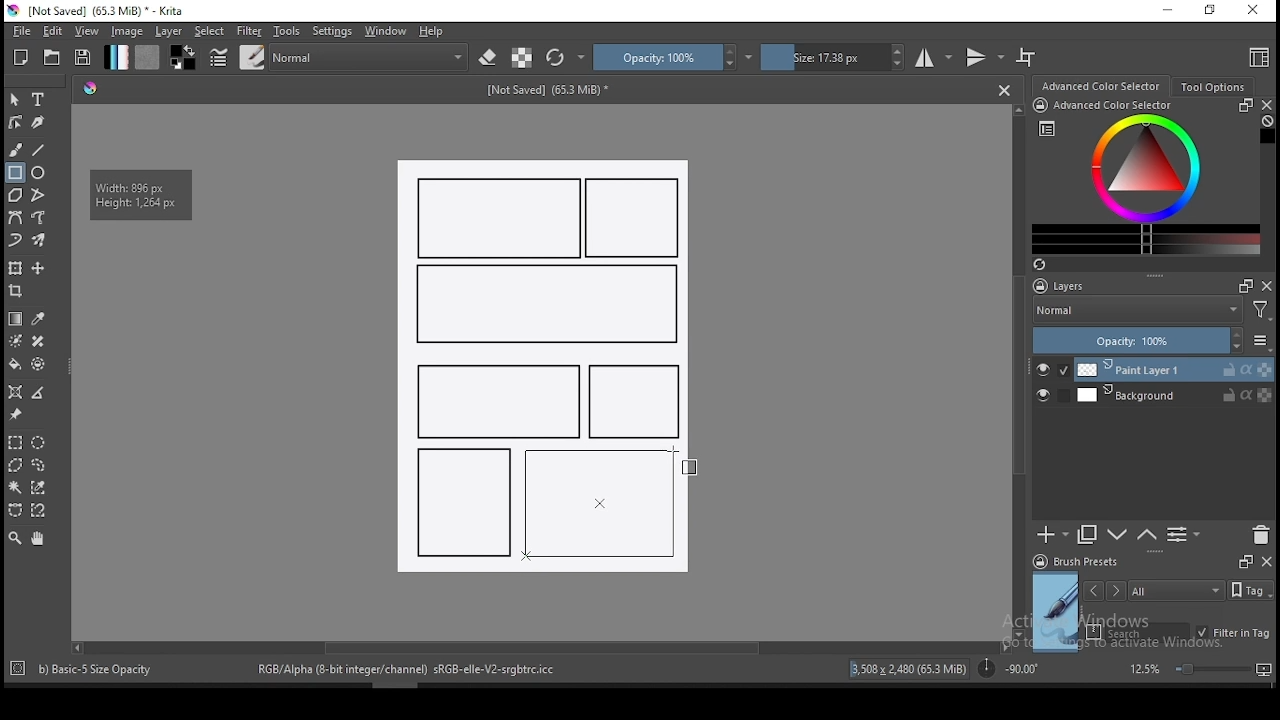 This screenshot has height=720, width=1280. What do you see at coordinates (500, 218) in the screenshot?
I see `new rectangle` at bounding box center [500, 218].